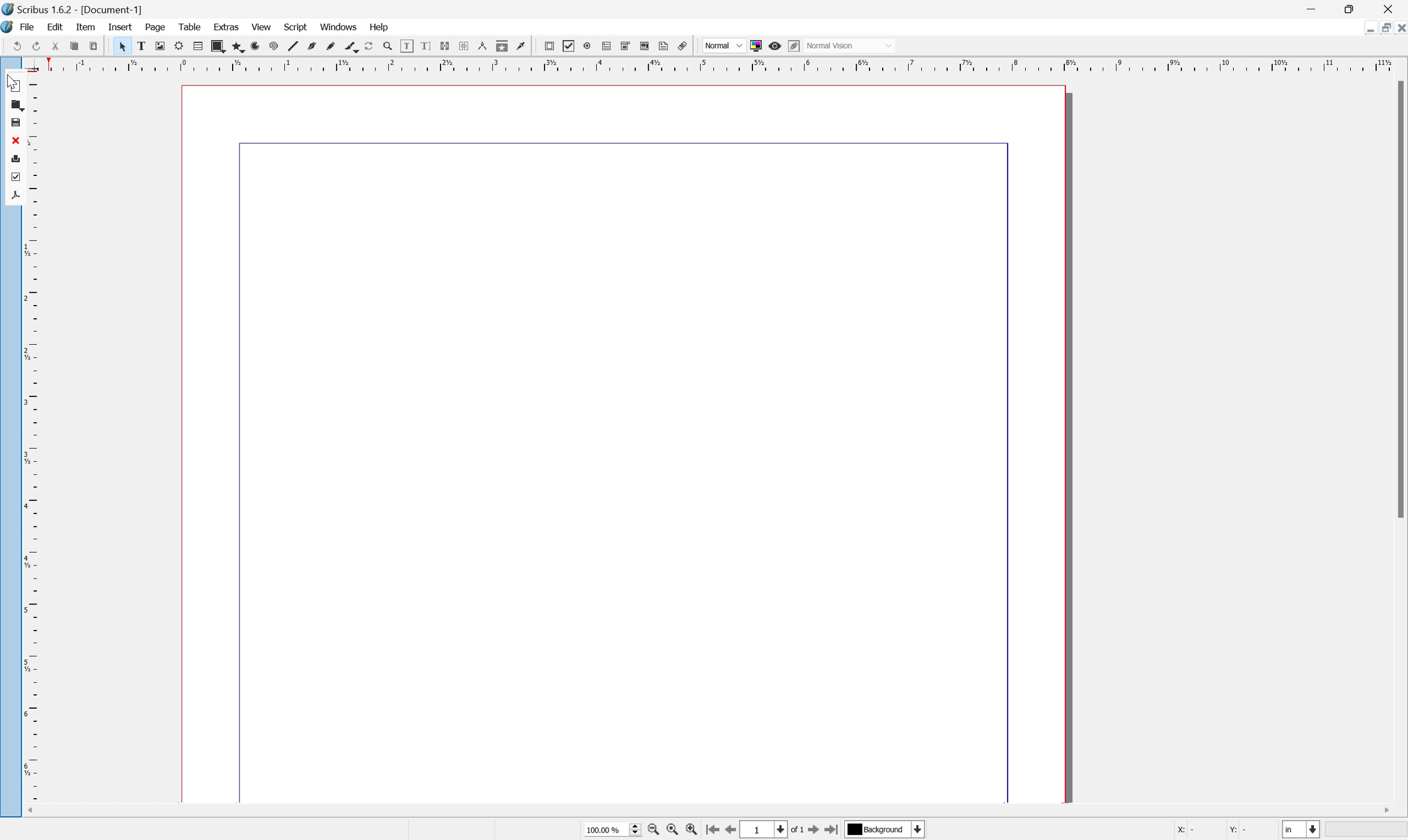 The height and width of the screenshot is (840, 1408). Describe the element at coordinates (624, 47) in the screenshot. I see `measurements` at that location.